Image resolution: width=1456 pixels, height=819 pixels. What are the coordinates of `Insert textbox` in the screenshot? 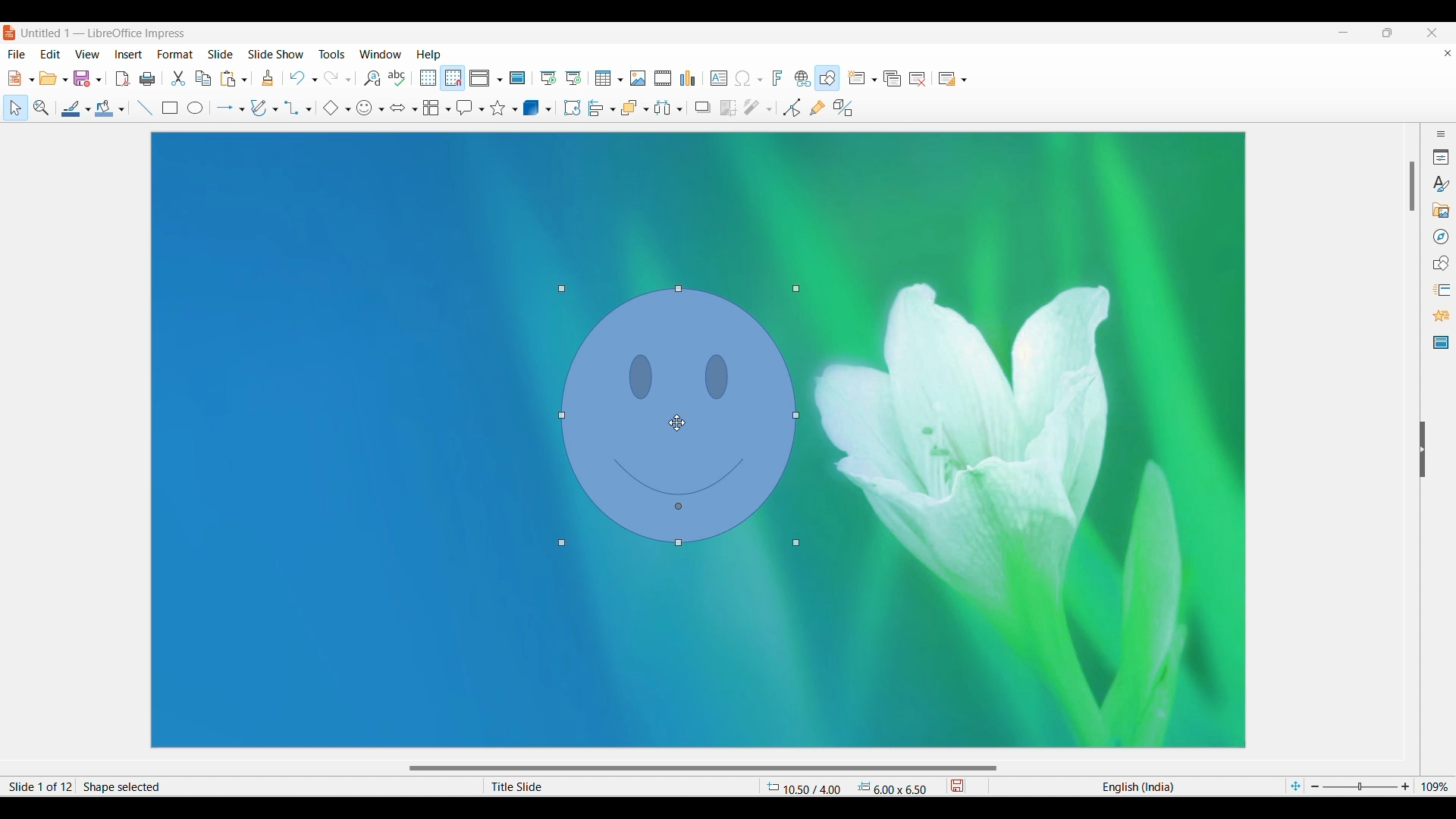 It's located at (719, 79).